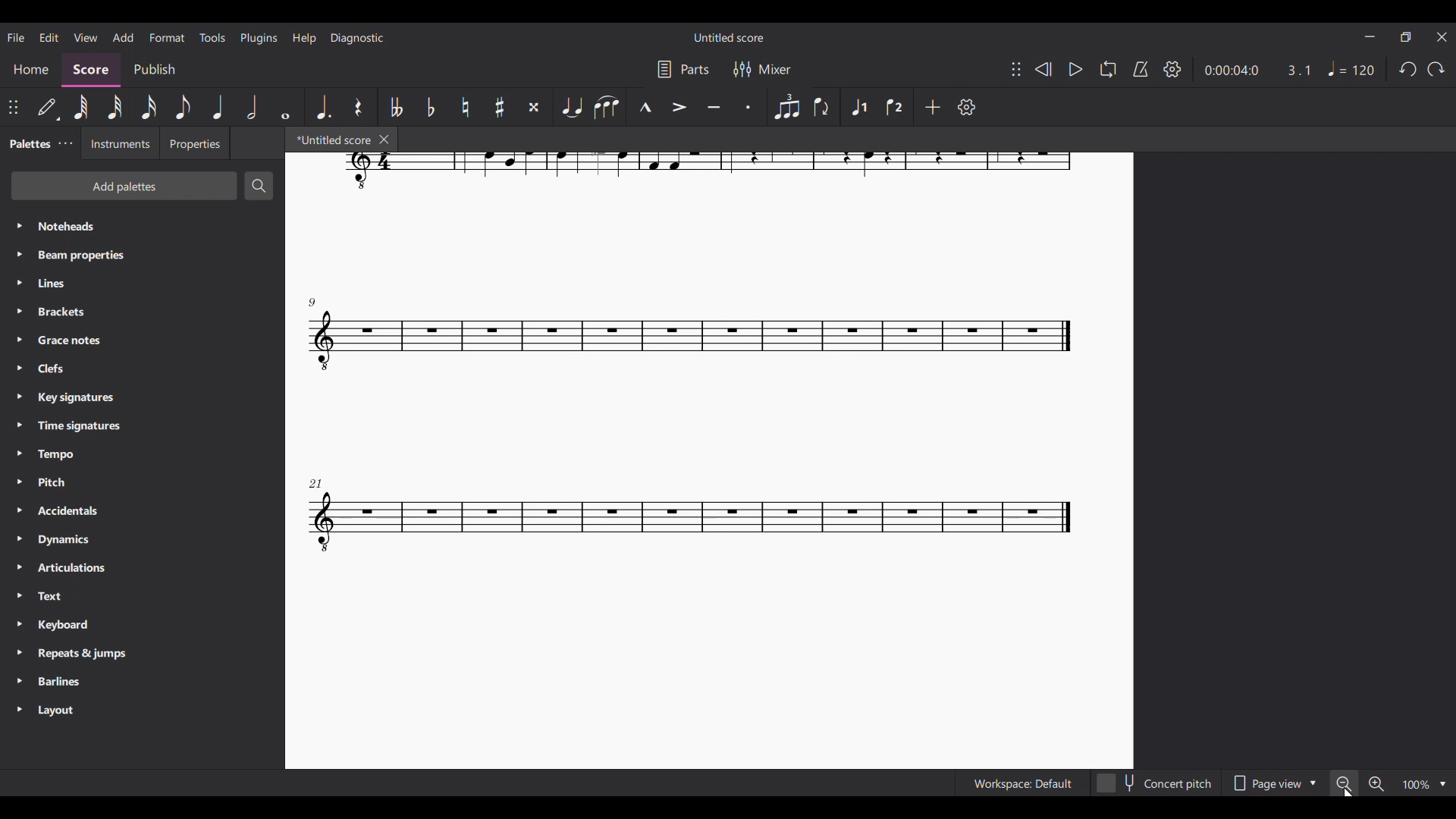 This screenshot has height=819, width=1456. I want to click on Add, so click(932, 107).